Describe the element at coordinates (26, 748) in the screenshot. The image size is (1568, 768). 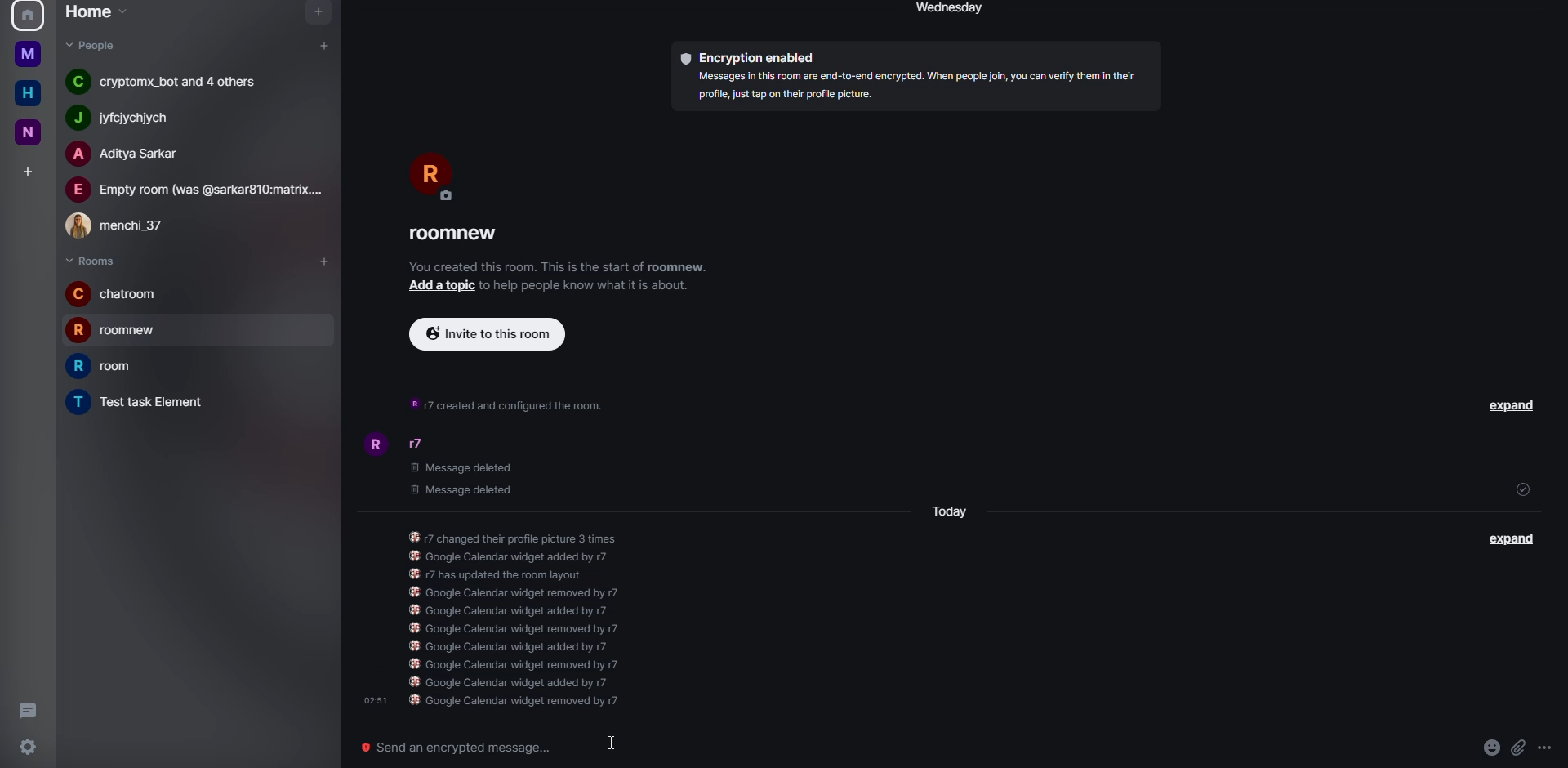
I see `settings` at that location.